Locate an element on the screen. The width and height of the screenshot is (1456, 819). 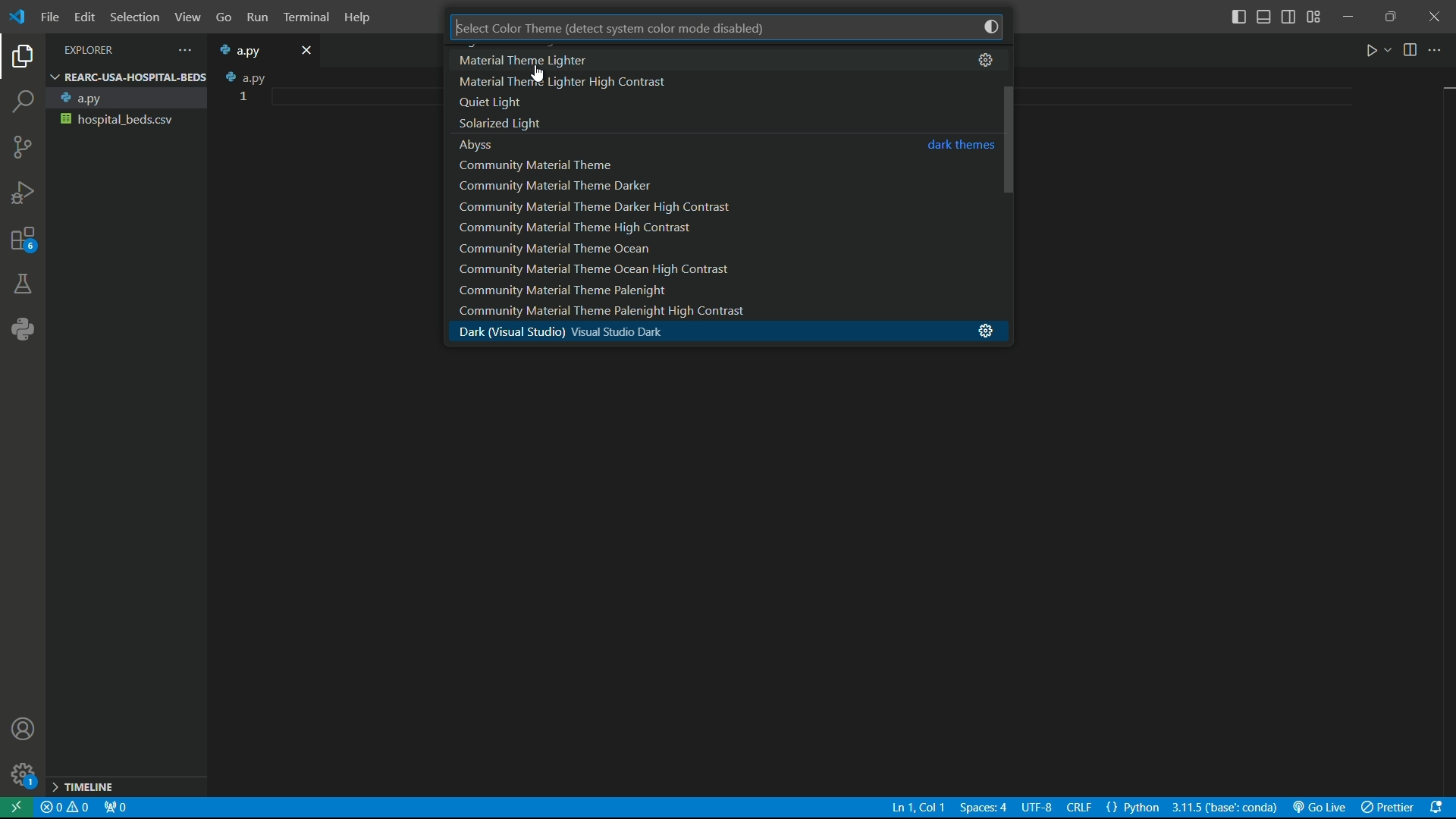
REARC-USA-HOSPITAL-BEDS is located at coordinates (127, 77).